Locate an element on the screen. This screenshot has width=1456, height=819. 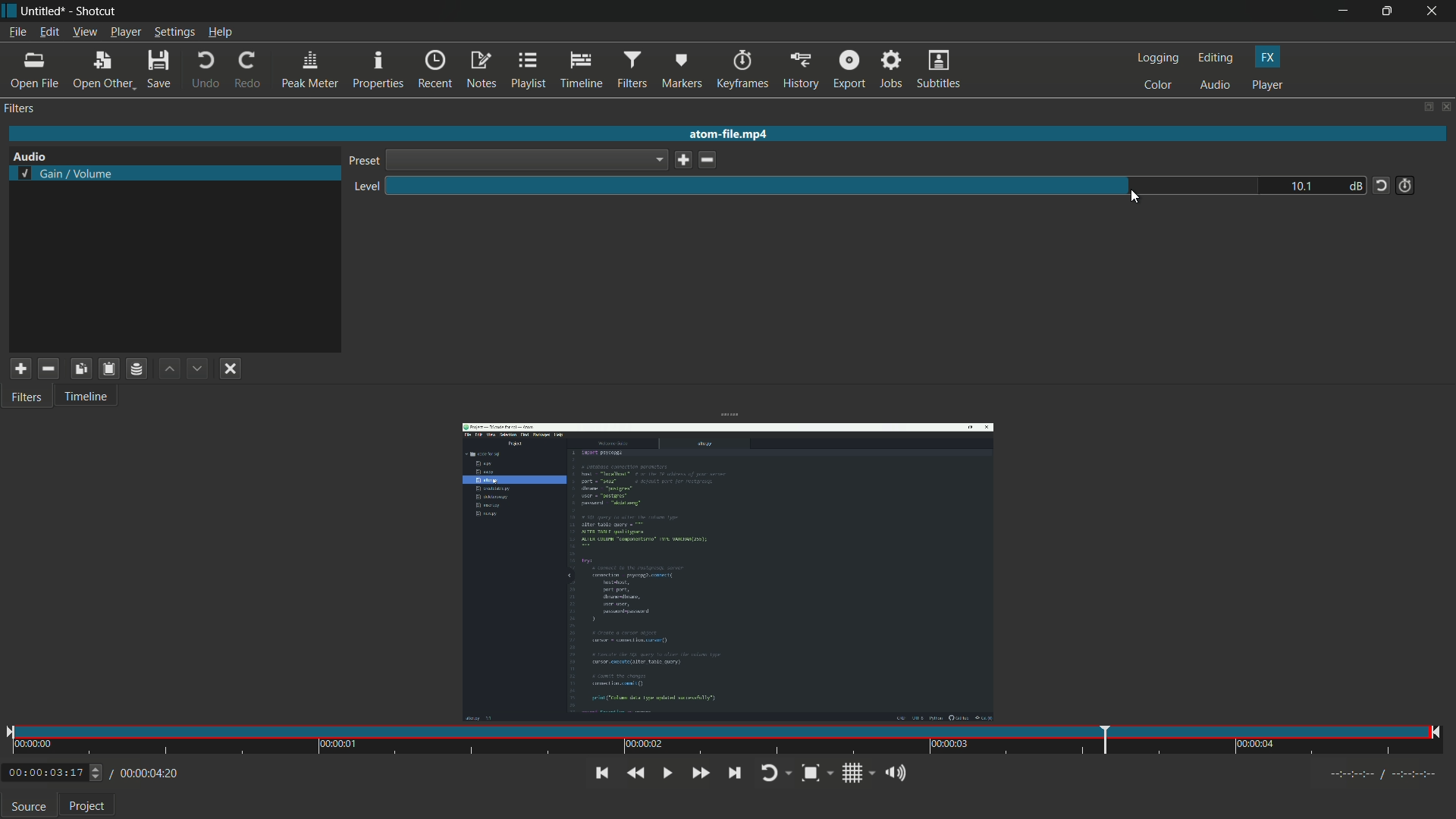
filters is located at coordinates (632, 71).